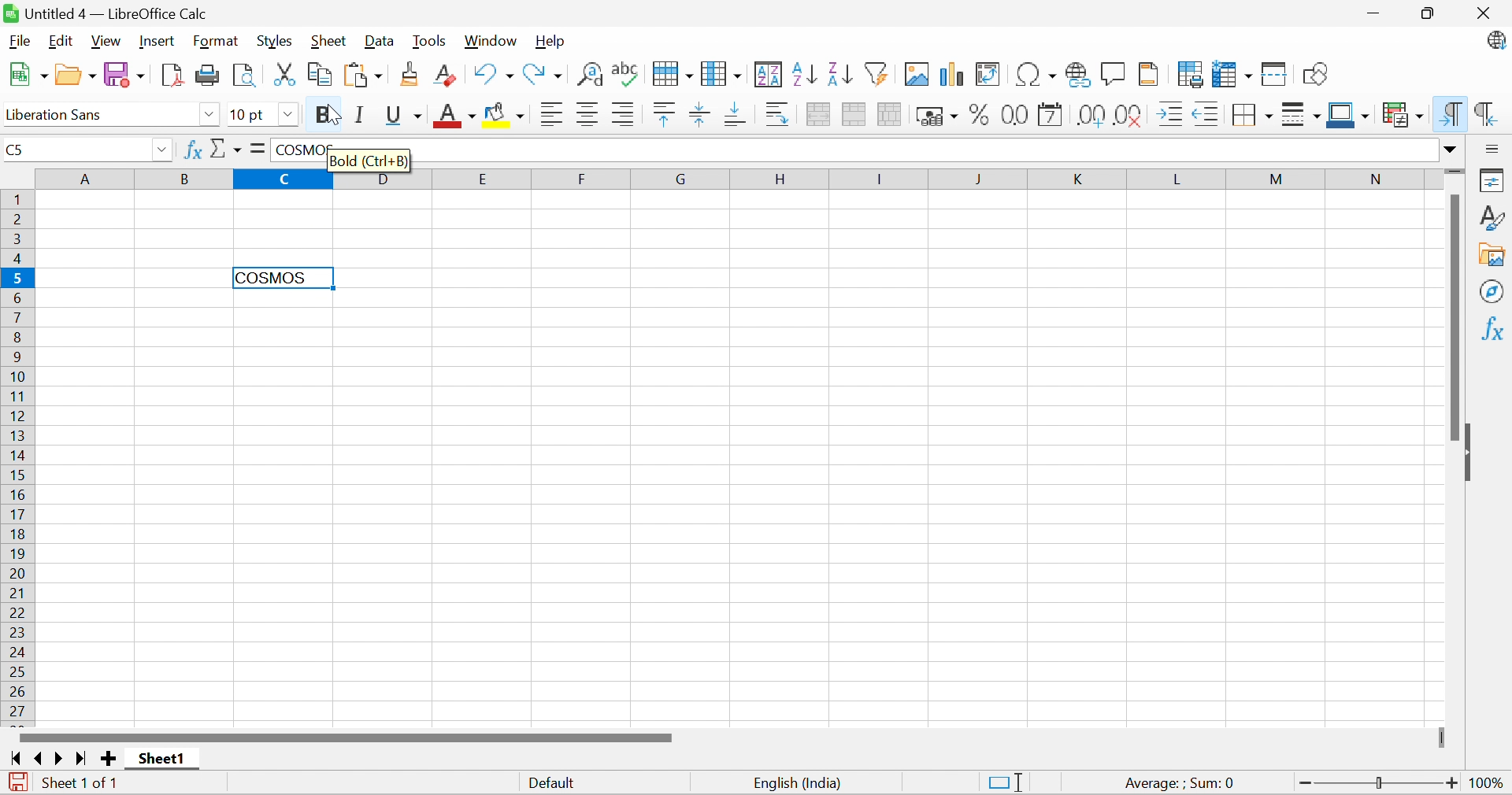  Describe the element at coordinates (701, 113) in the screenshot. I see `Center Vertically` at that location.